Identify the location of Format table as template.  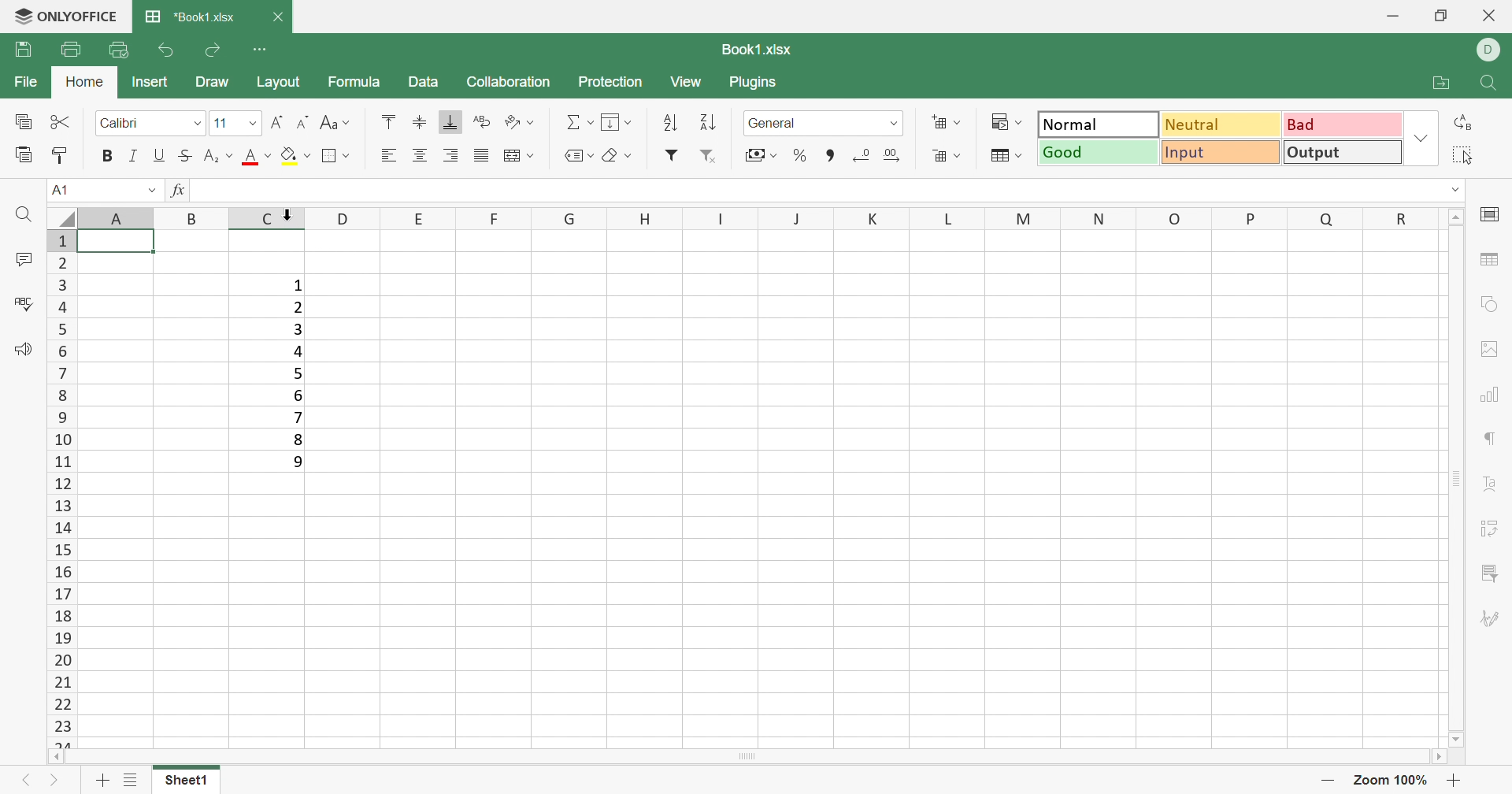
(1006, 158).